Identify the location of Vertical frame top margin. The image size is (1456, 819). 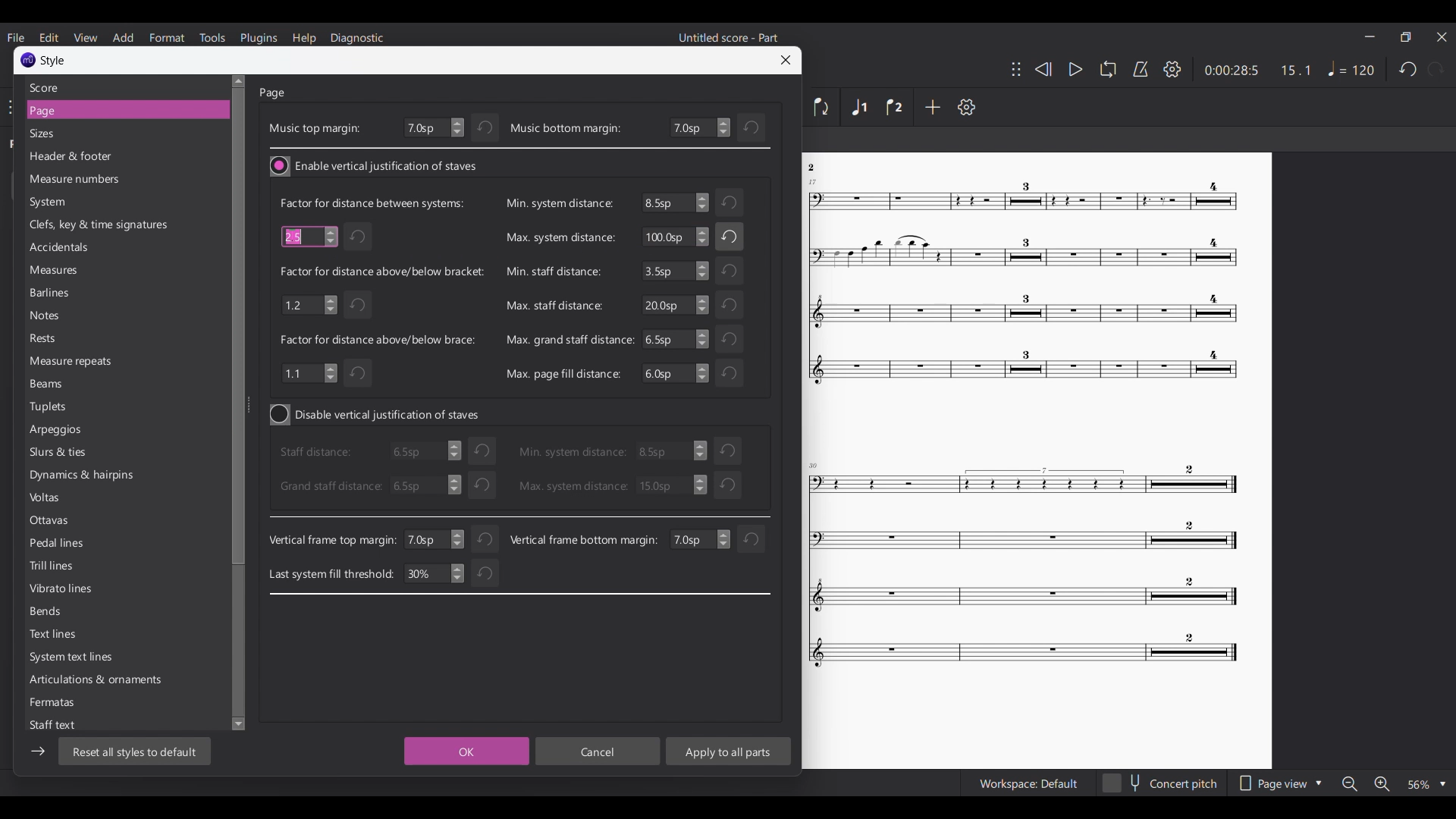
(332, 541).